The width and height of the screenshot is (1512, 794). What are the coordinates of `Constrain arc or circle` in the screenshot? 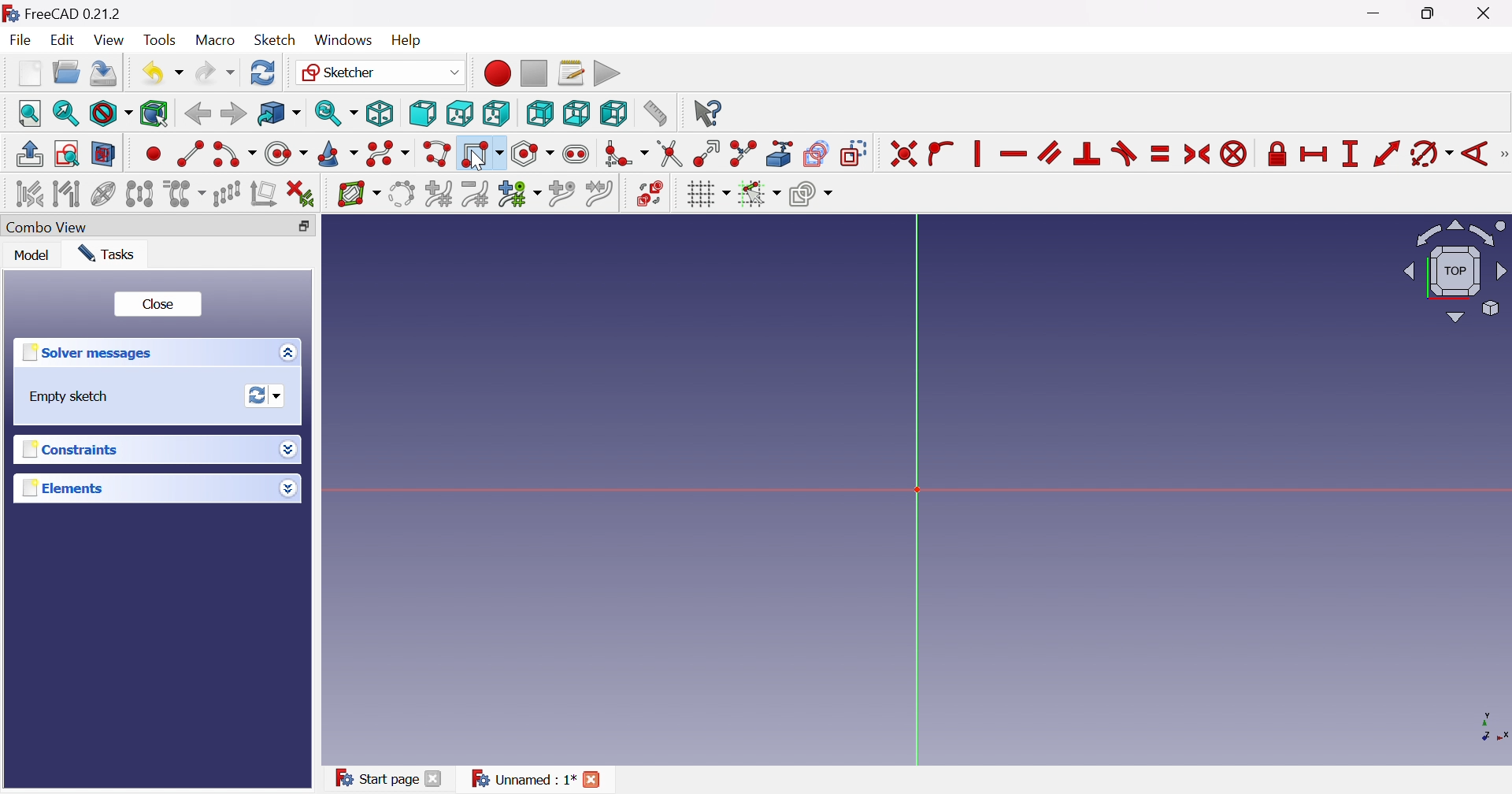 It's located at (1431, 155).